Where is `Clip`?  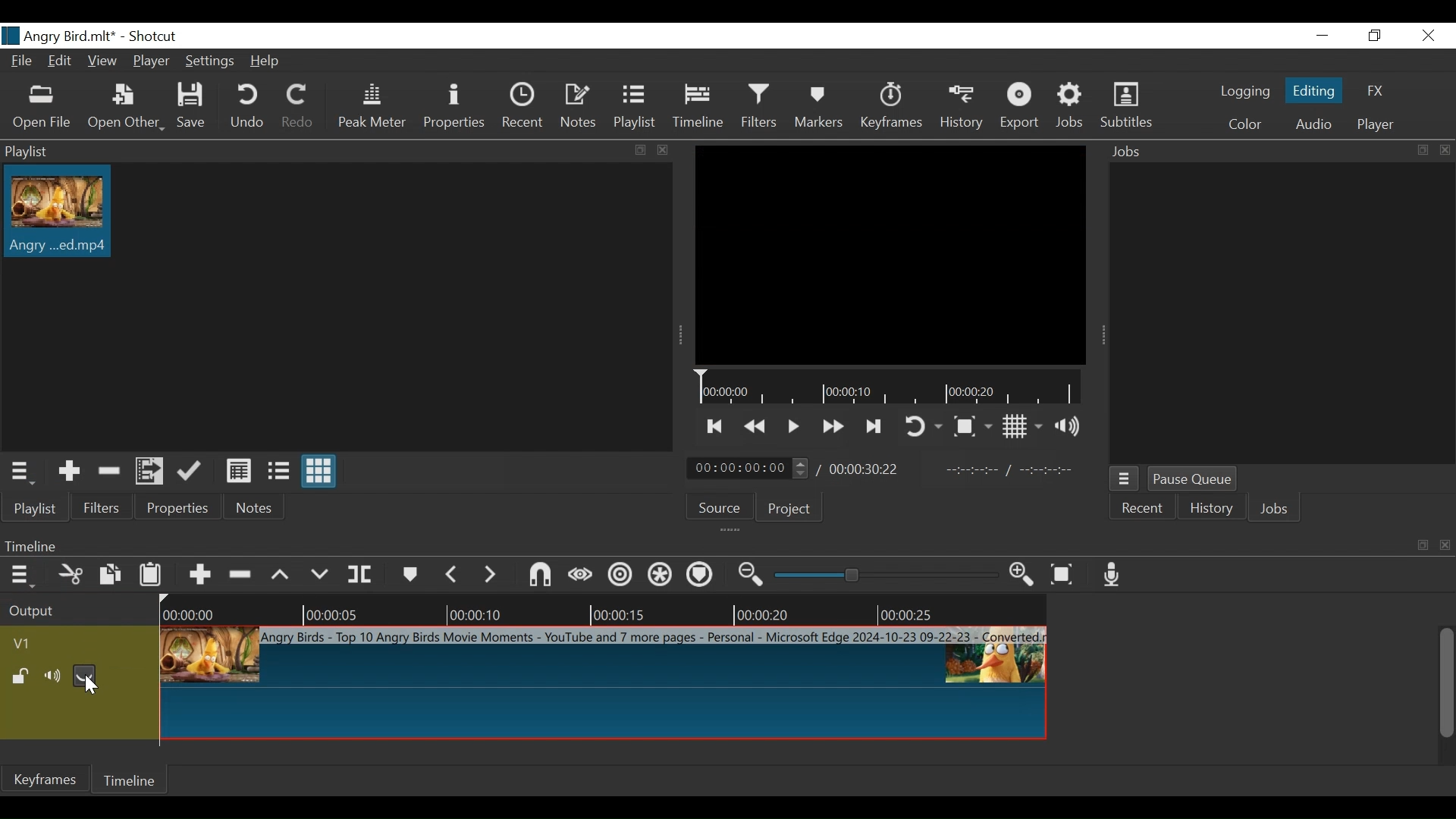
Clip is located at coordinates (602, 681).